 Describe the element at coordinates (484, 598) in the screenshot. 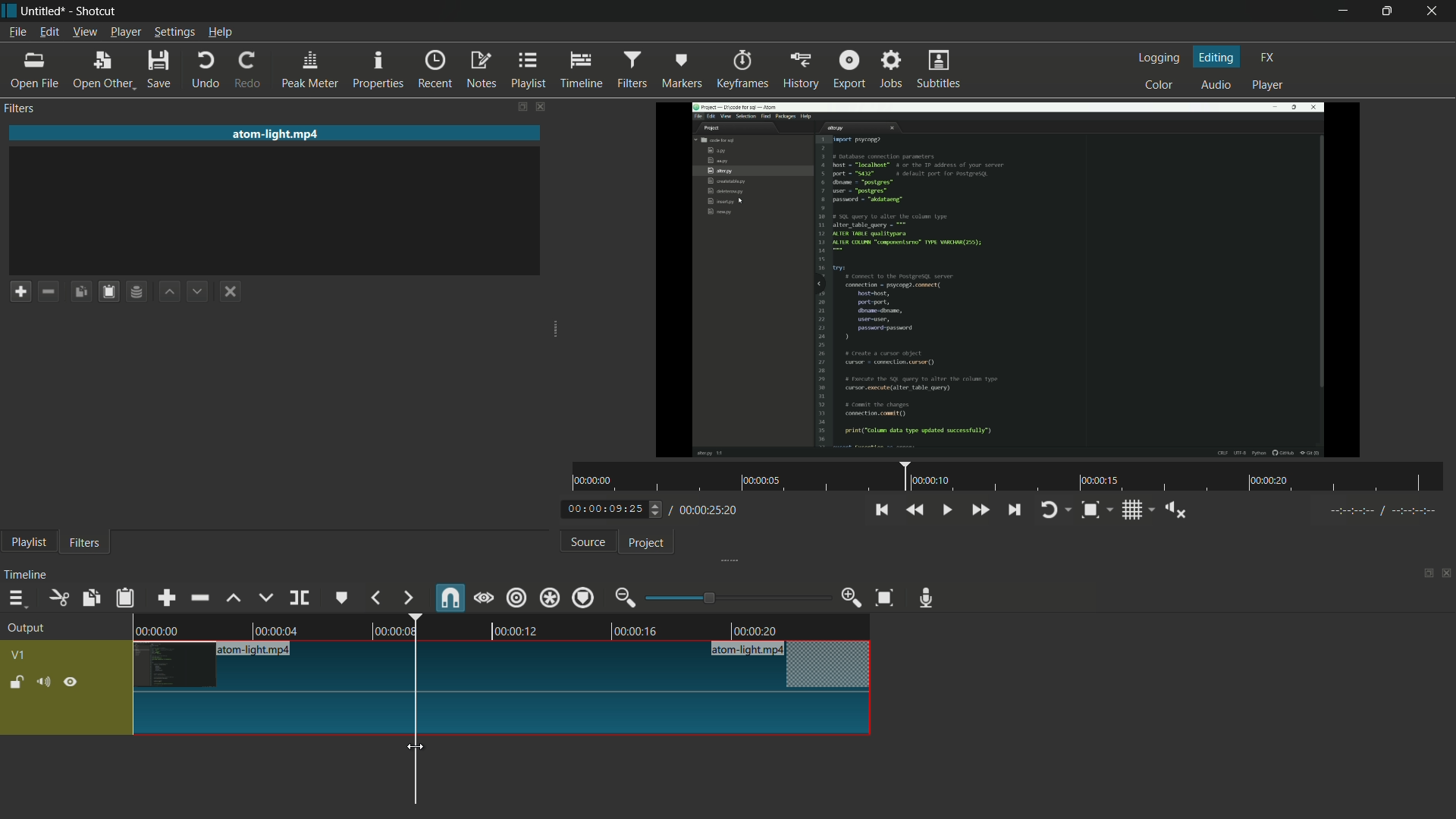

I see `scrub while dragging` at that location.